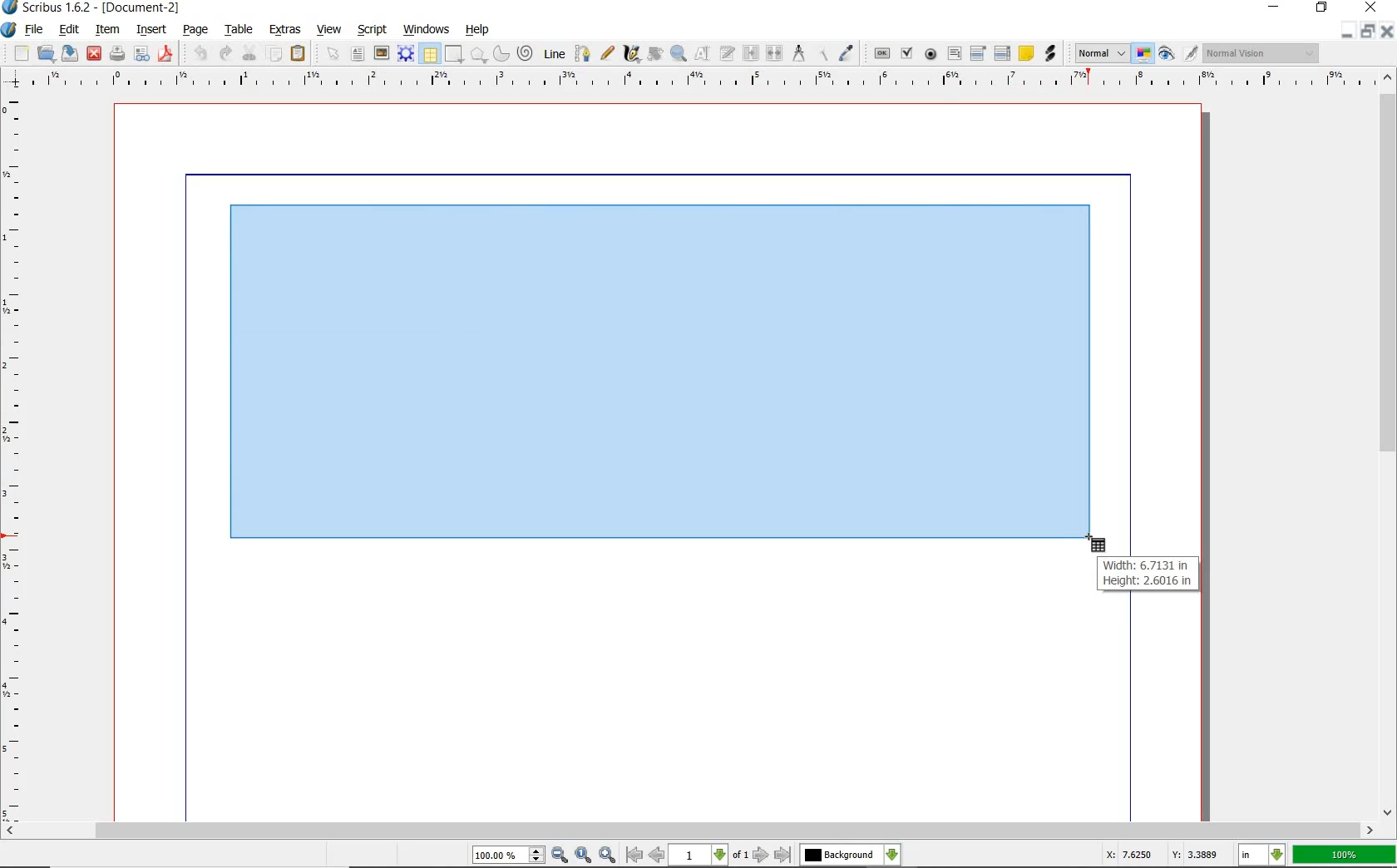 The width and height of the screenshot is (1397, 868). I want to click on shape, so click(454, 55).